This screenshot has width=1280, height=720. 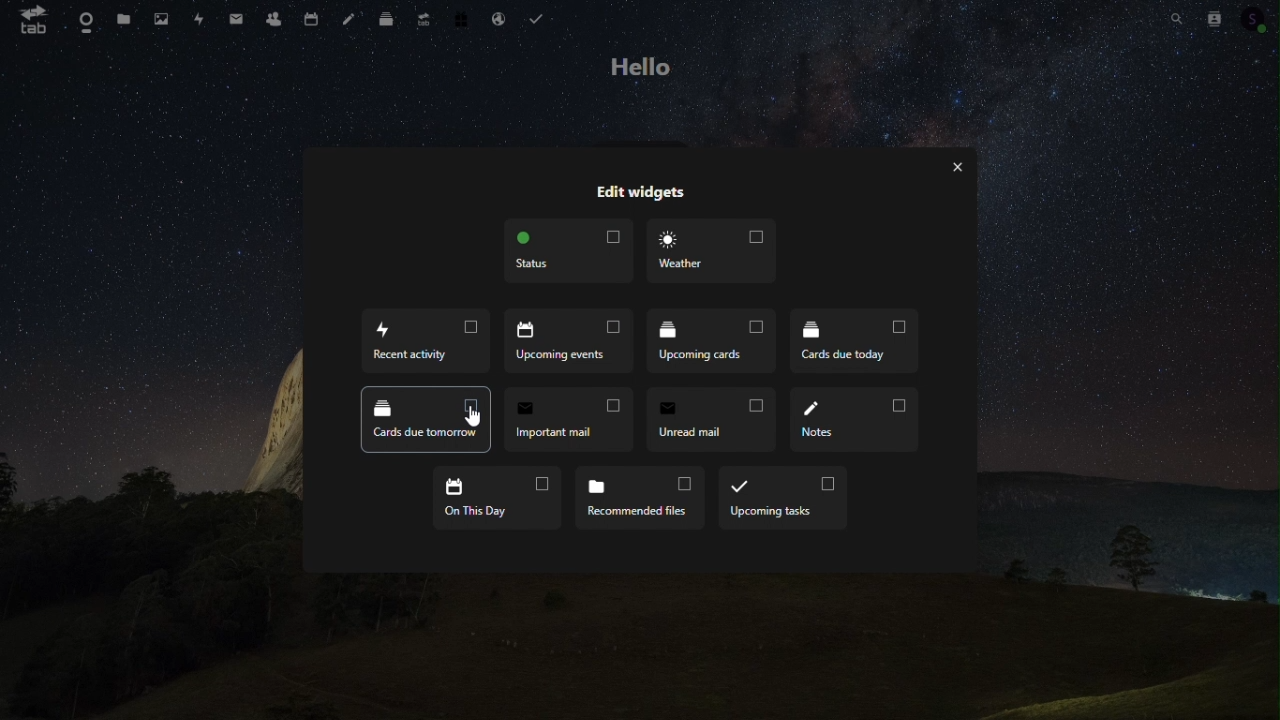 What do you see at coordinates (426, 419) in the screenshot?
I see `Cards due tomorrow` at bounding box center [426, 419].